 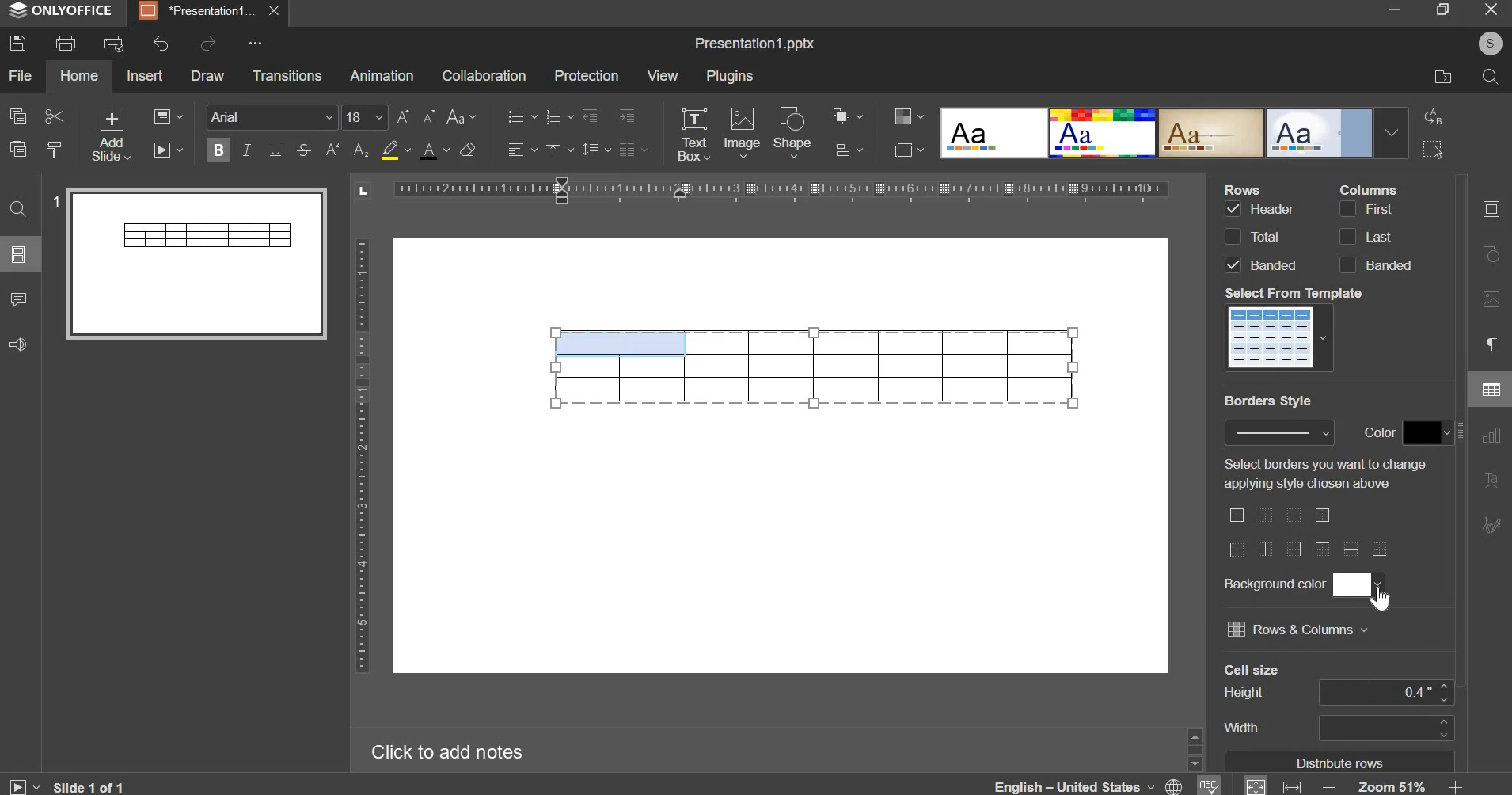 What do you see at coordinates (273, 116) in the screenshot?
I see `font` at bounding box center [273, 116].